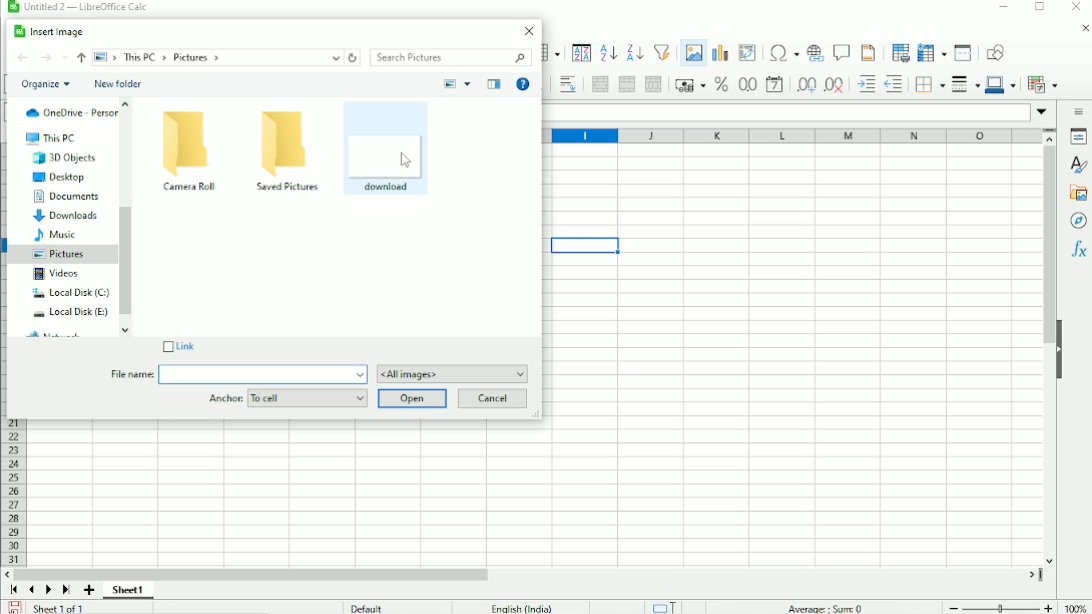 The image size is (1092, 614). What do you see at coordinates (49, 590) in the screenshot?
I see `Scroll to next sheet` at bounding box center [49, 590].